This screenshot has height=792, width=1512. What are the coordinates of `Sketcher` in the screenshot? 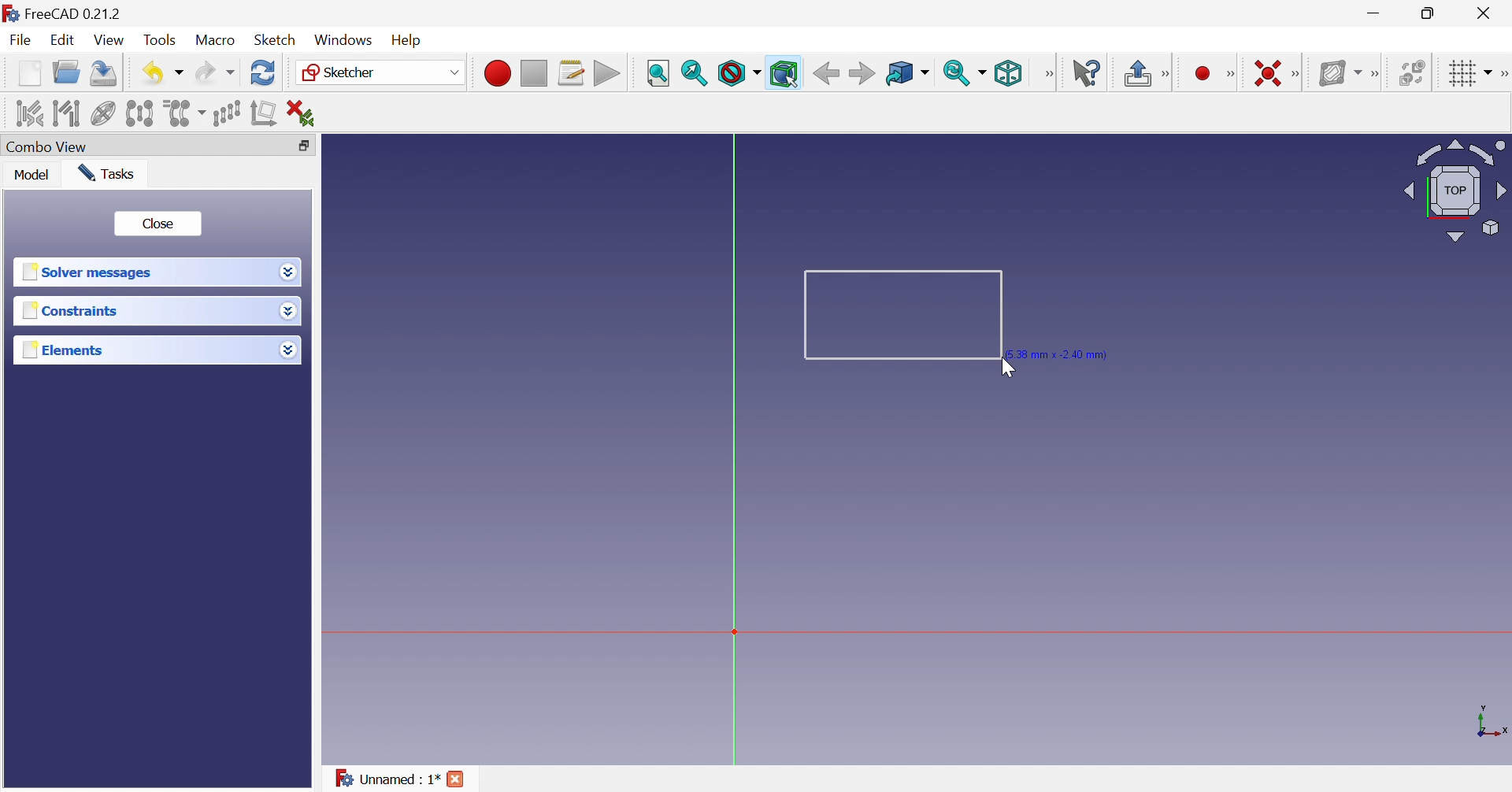 It's located at (380, 72).